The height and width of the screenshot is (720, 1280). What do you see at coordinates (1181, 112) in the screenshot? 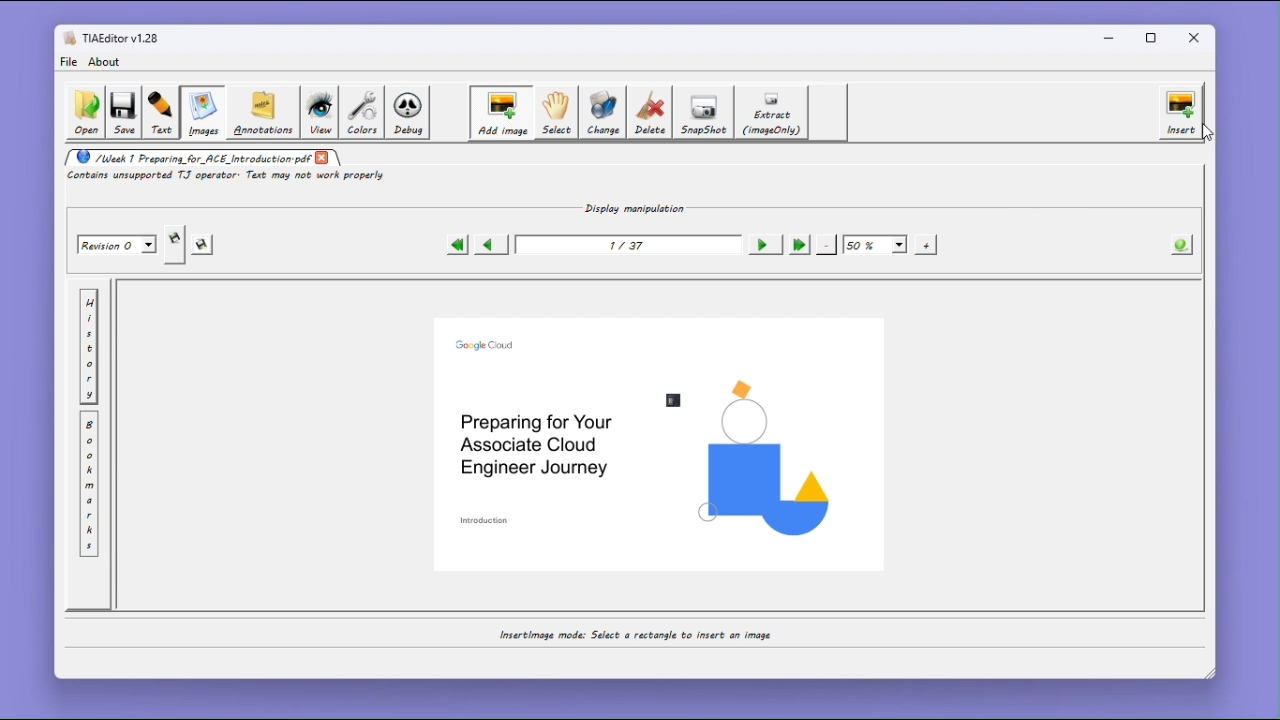
I see `insert` at bounding box center [1181, 112].